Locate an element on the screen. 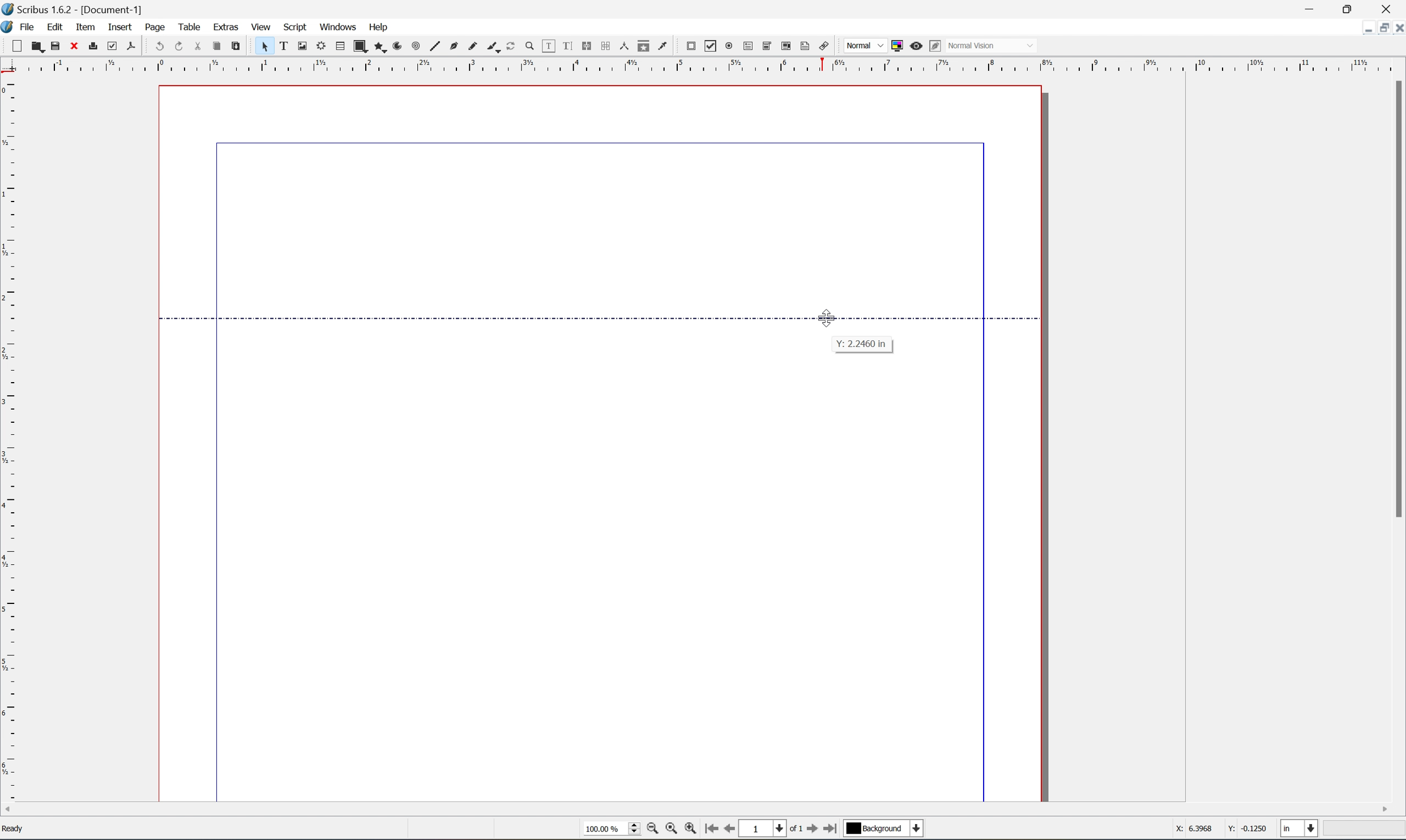 This screenshot has height=840, width=1406. go to last page is located at coordinates (832, 830).